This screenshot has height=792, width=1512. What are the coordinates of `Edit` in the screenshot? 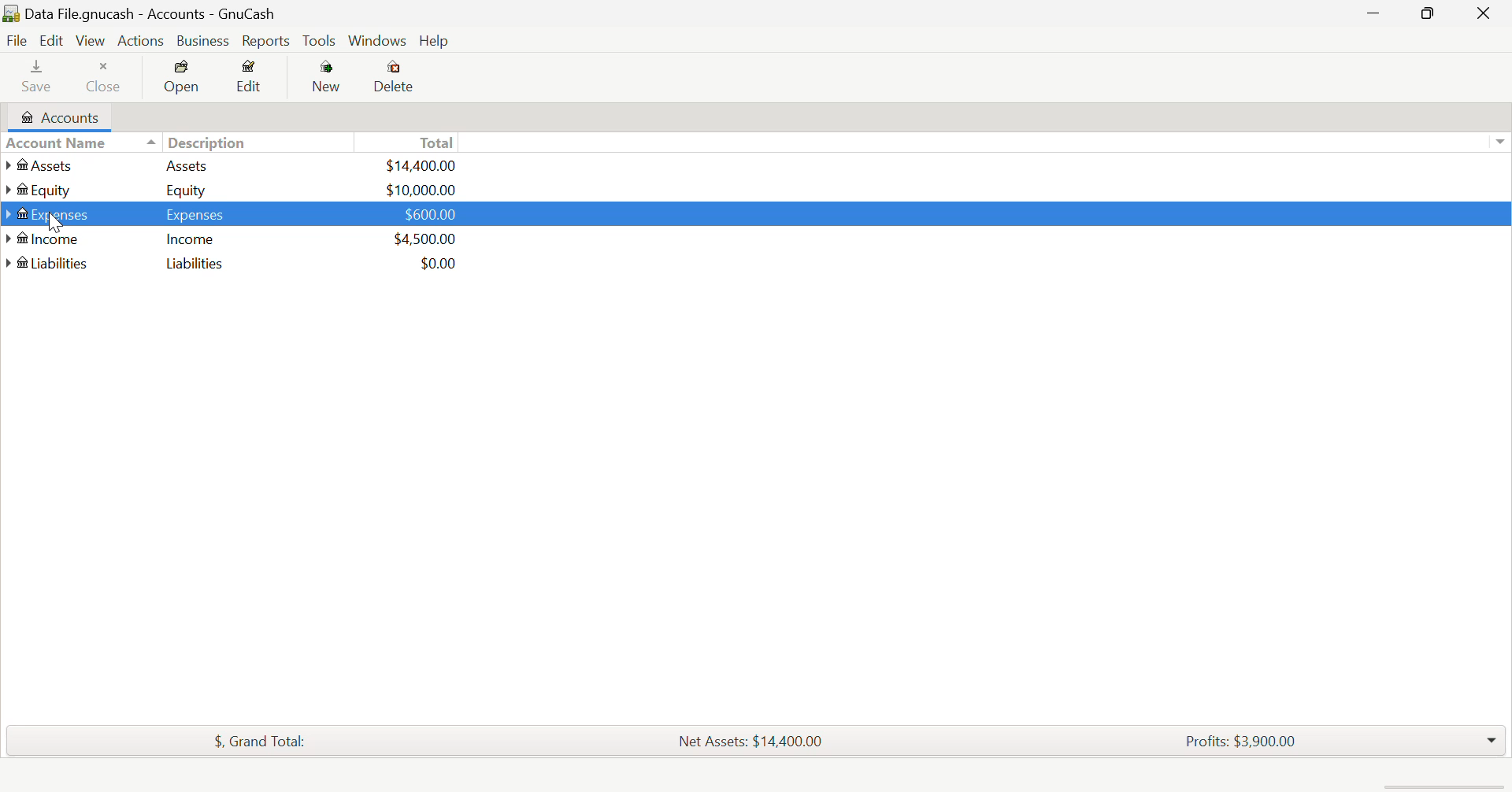 It's located at (251, 78).